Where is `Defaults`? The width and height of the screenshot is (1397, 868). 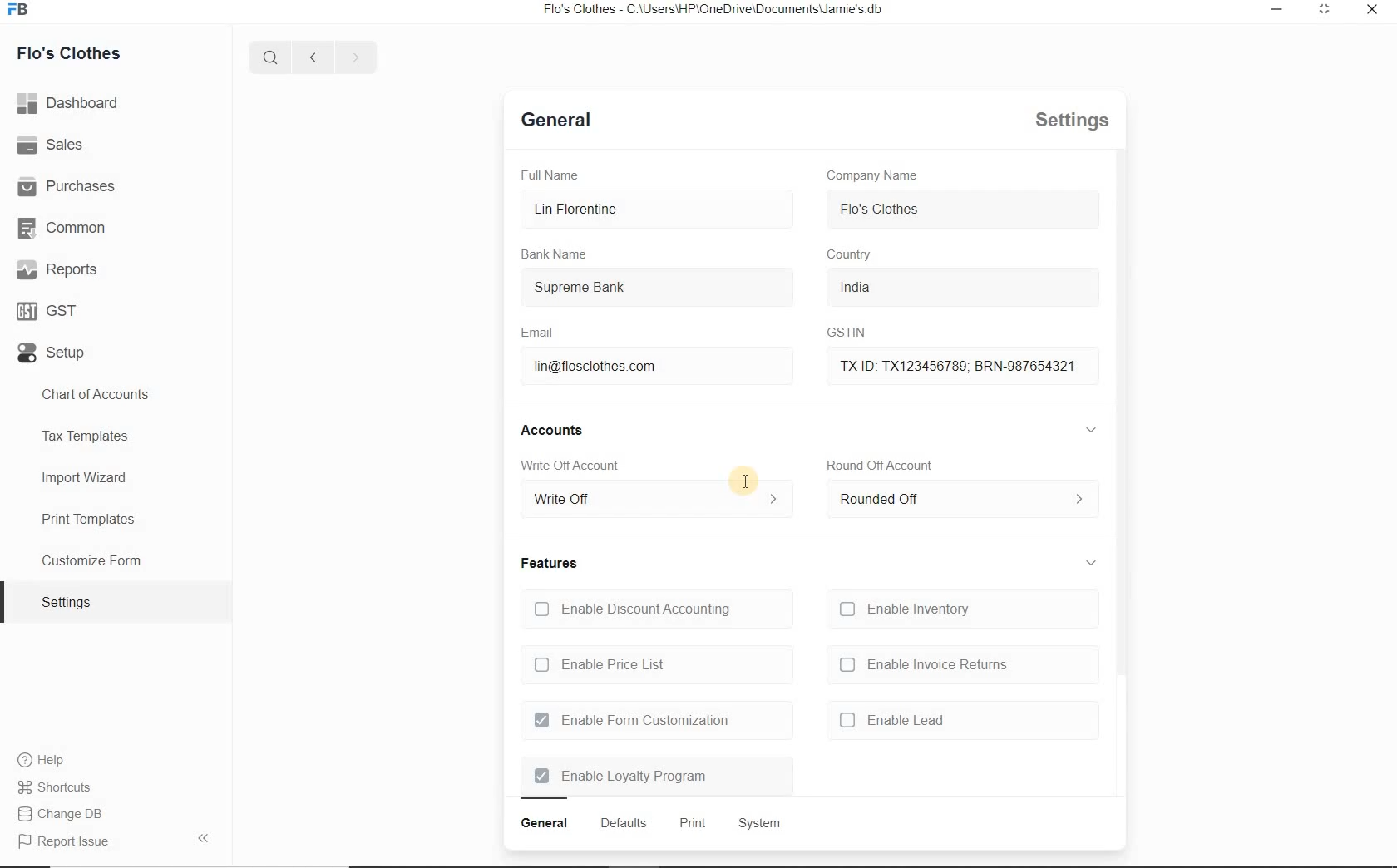
Defaults is located at coordinates (558, 118).